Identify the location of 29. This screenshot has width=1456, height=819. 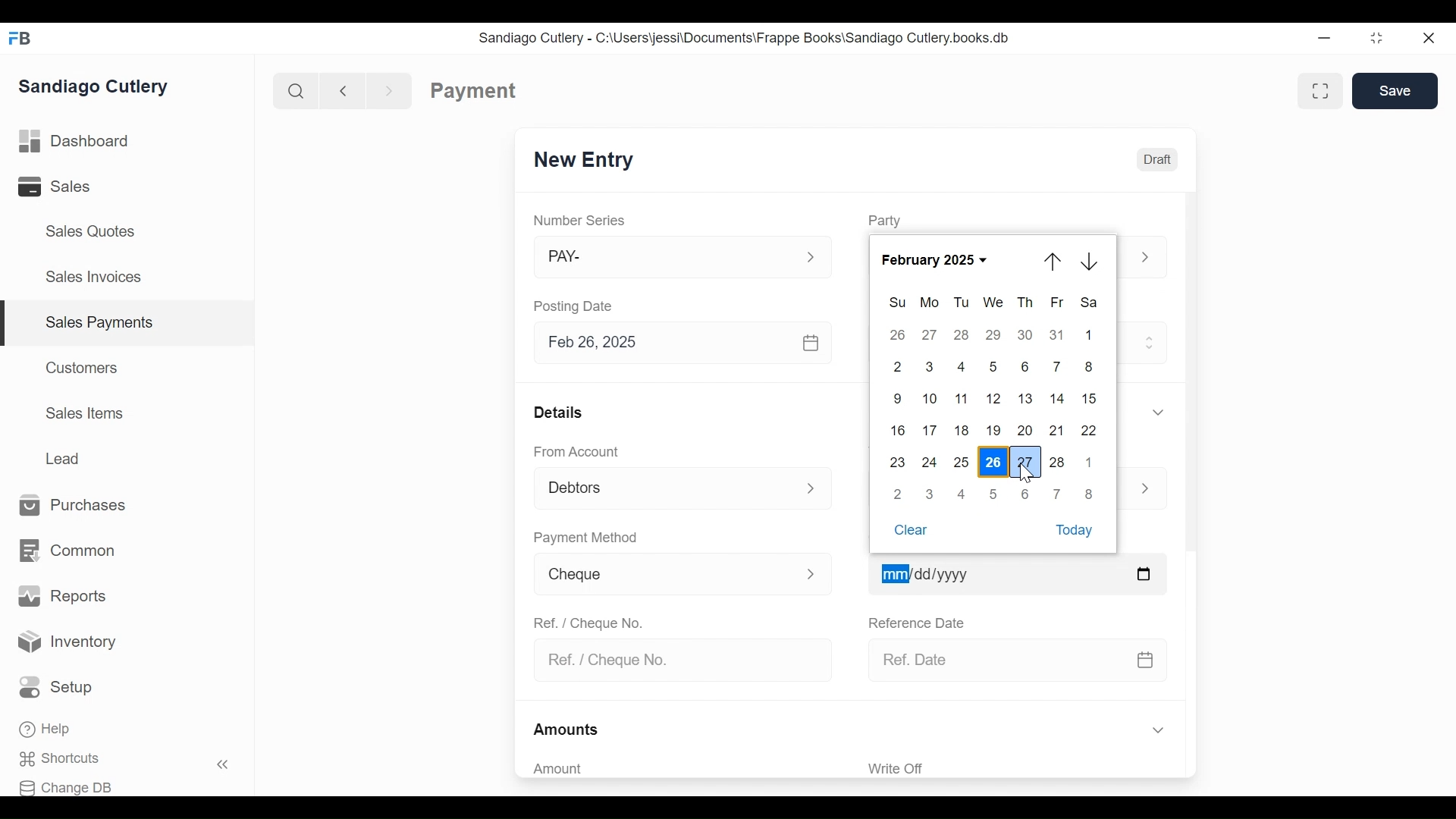
(995, 334).